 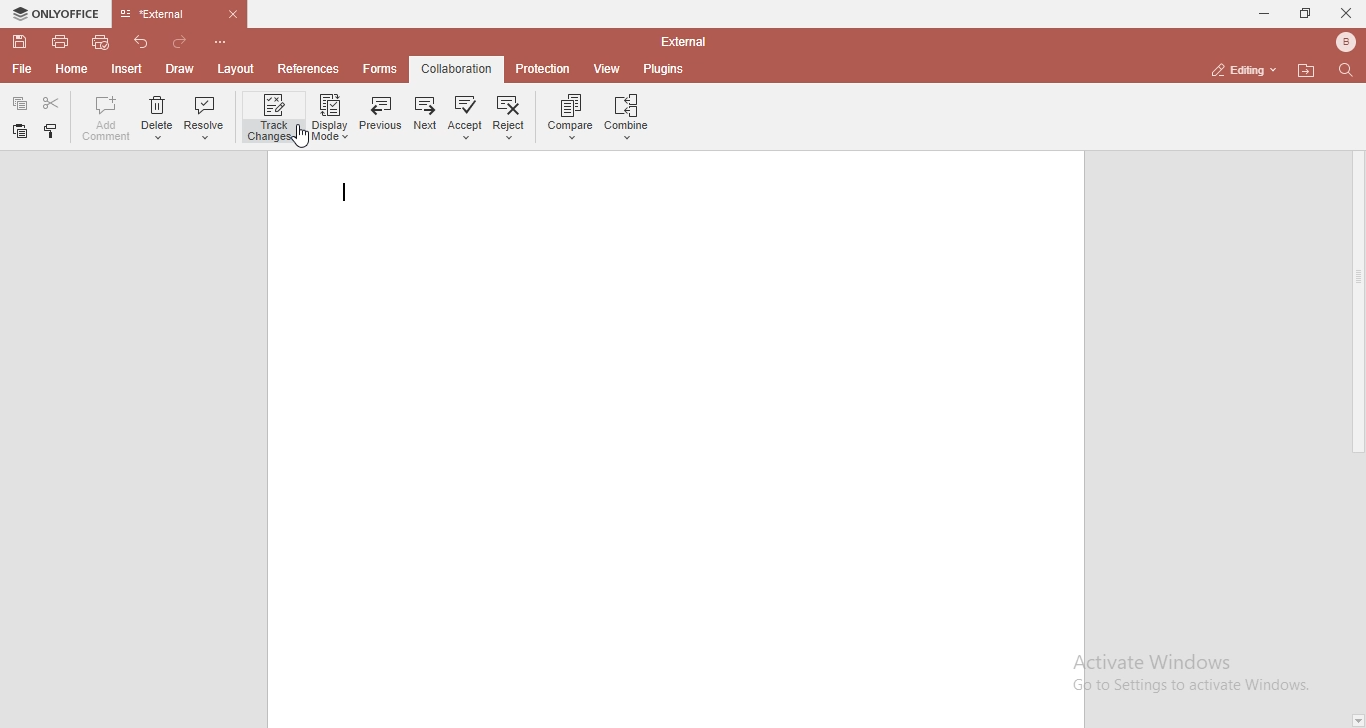 What do you see at coordinates (1357, 92) in the screenshot?
I see `page up` at bounding box center [1357, 92].